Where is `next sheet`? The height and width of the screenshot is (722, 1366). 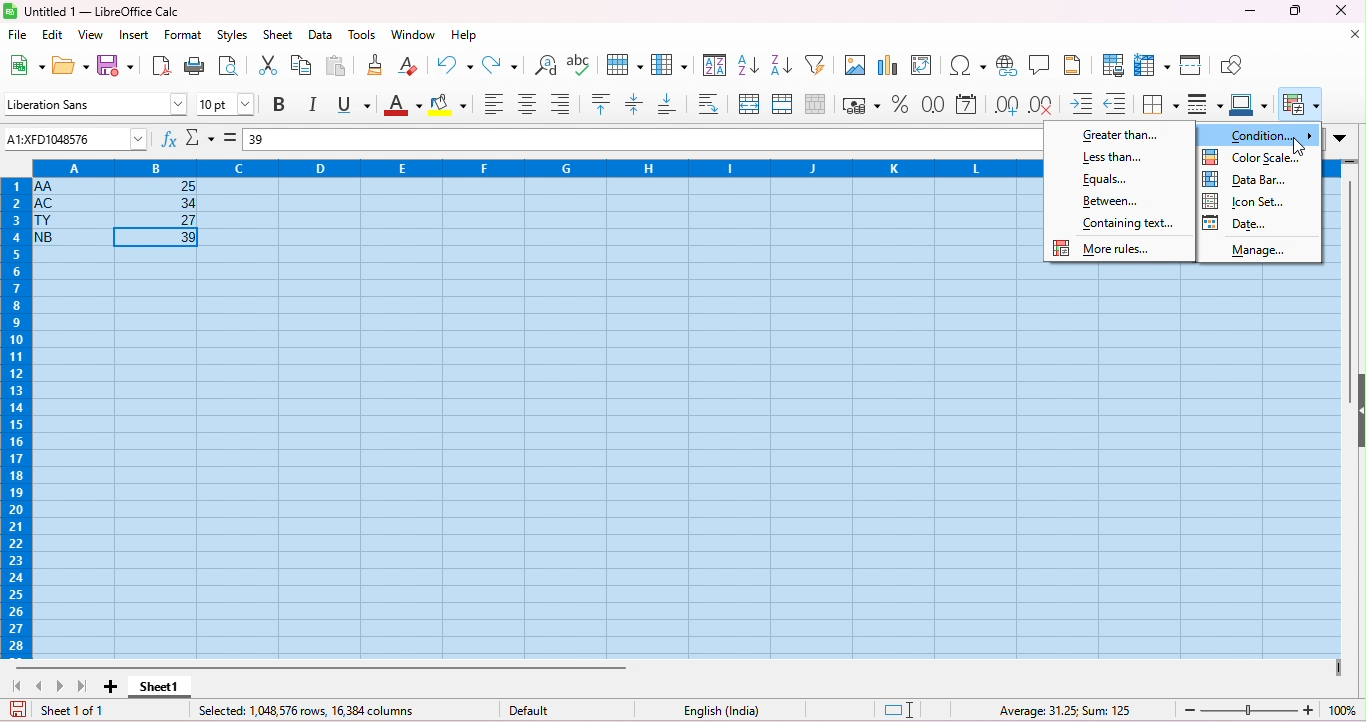
next sheet is located at coordinates (63, 686).